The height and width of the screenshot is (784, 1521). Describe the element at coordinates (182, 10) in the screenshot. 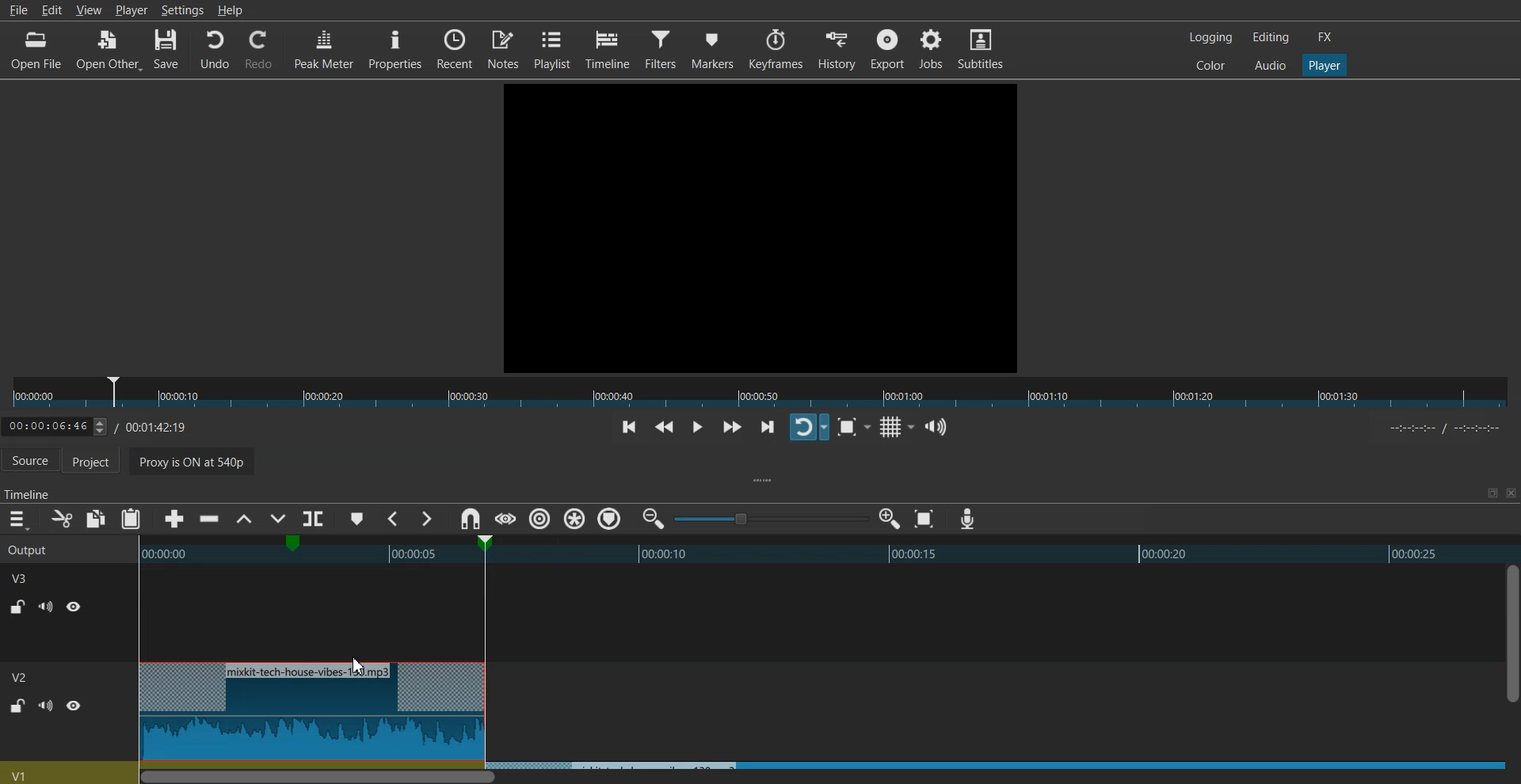

I see `Settings` at that location.